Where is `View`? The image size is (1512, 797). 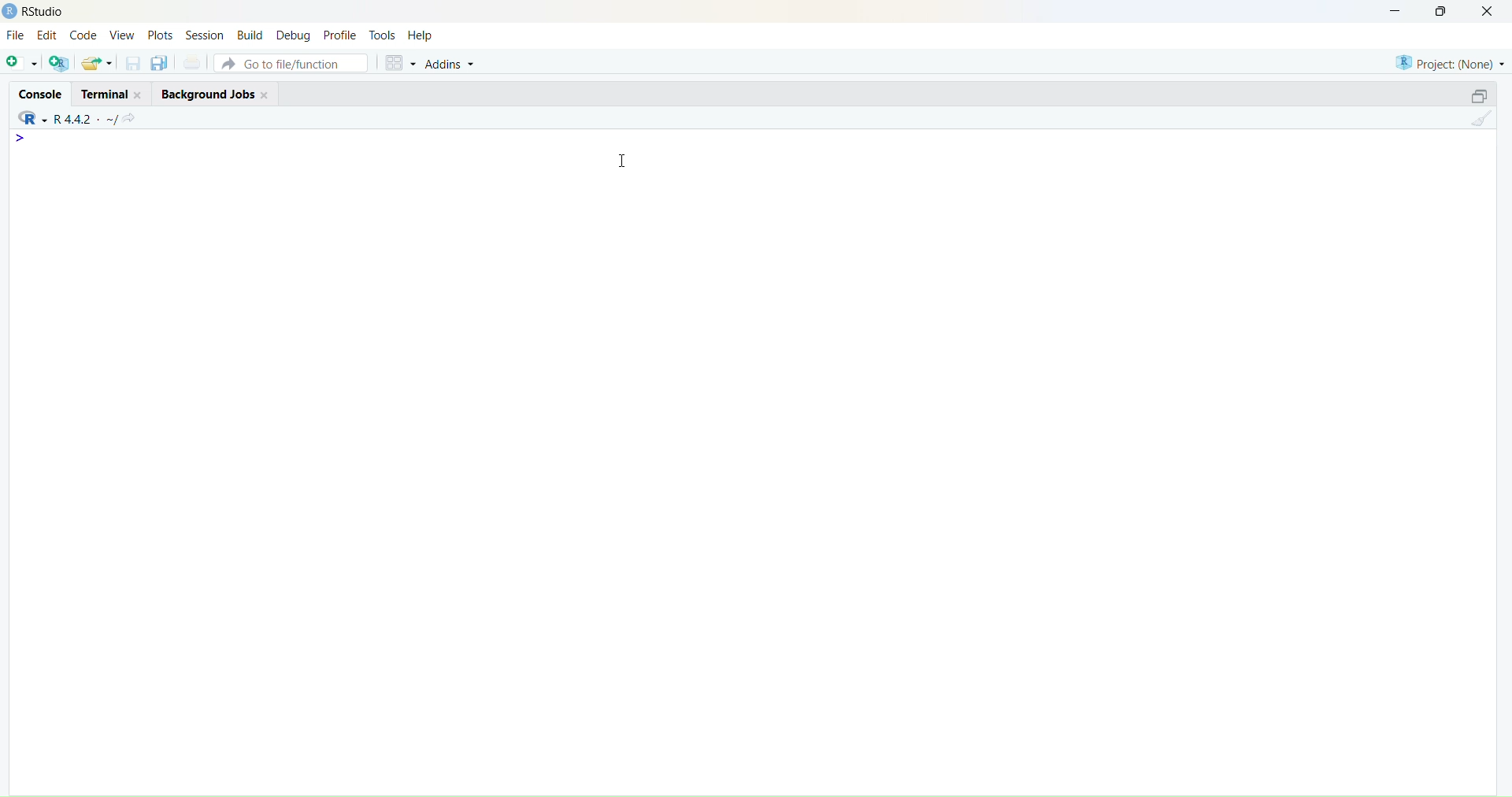 View is located at coordinates (120, 36).